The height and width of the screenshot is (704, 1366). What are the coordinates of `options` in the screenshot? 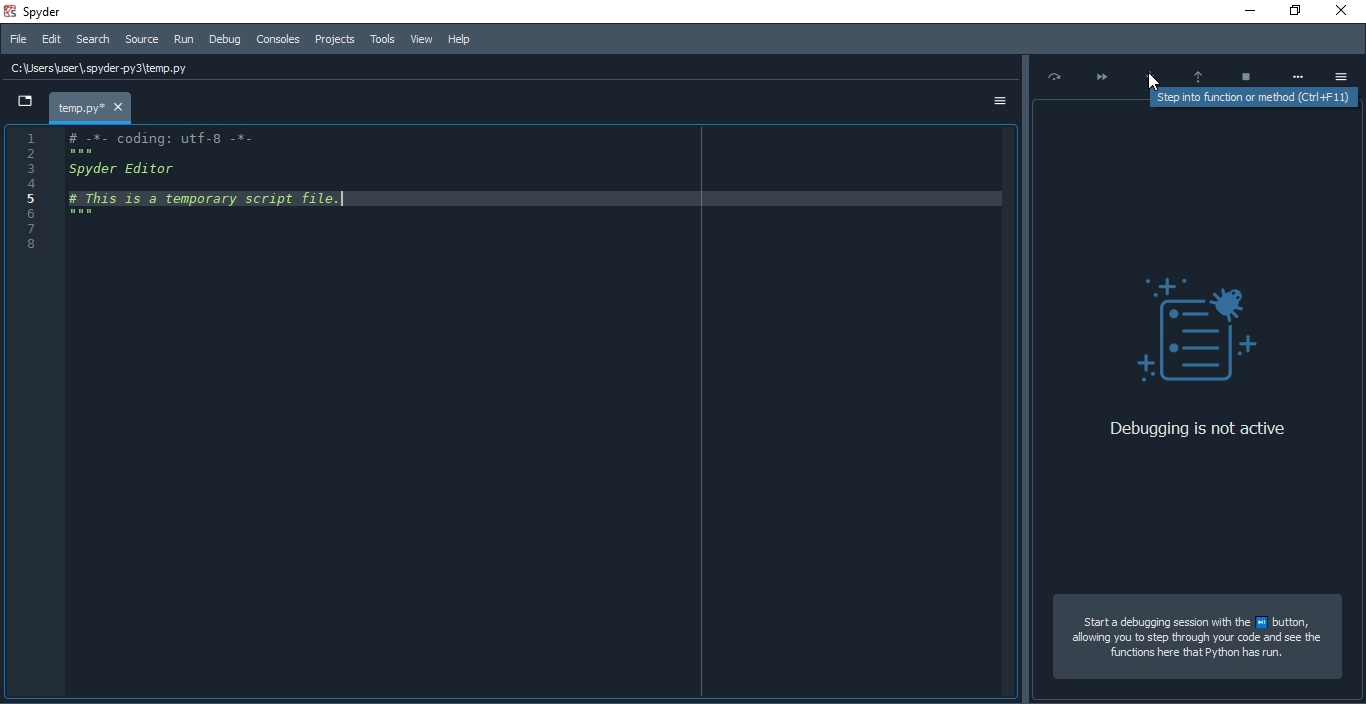 It's located at (996, 103).